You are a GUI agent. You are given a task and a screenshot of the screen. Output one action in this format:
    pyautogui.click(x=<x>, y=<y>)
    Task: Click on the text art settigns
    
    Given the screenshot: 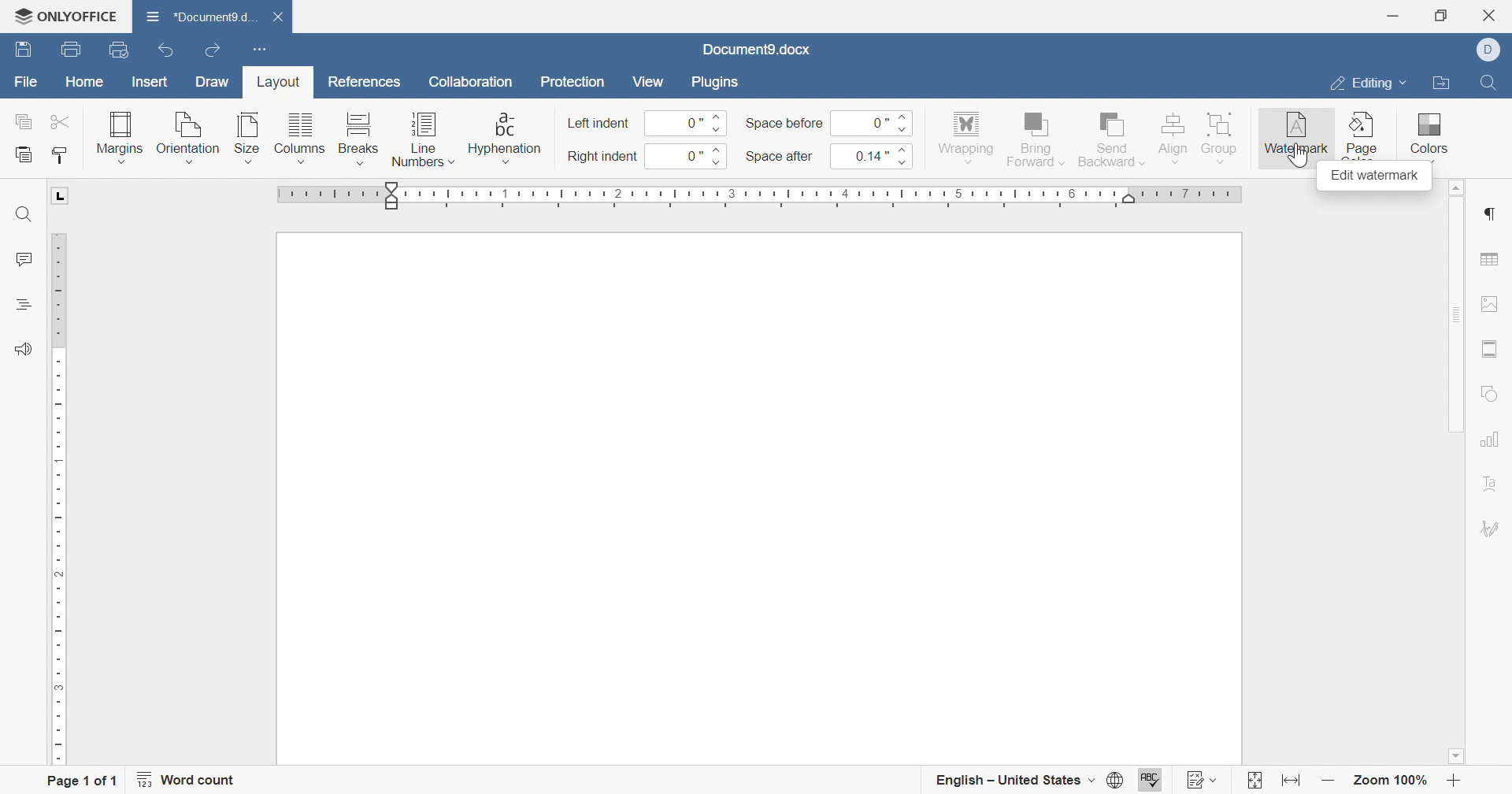 What is the action you would take?
    pyautogui.click(x=1491, y=484)
    